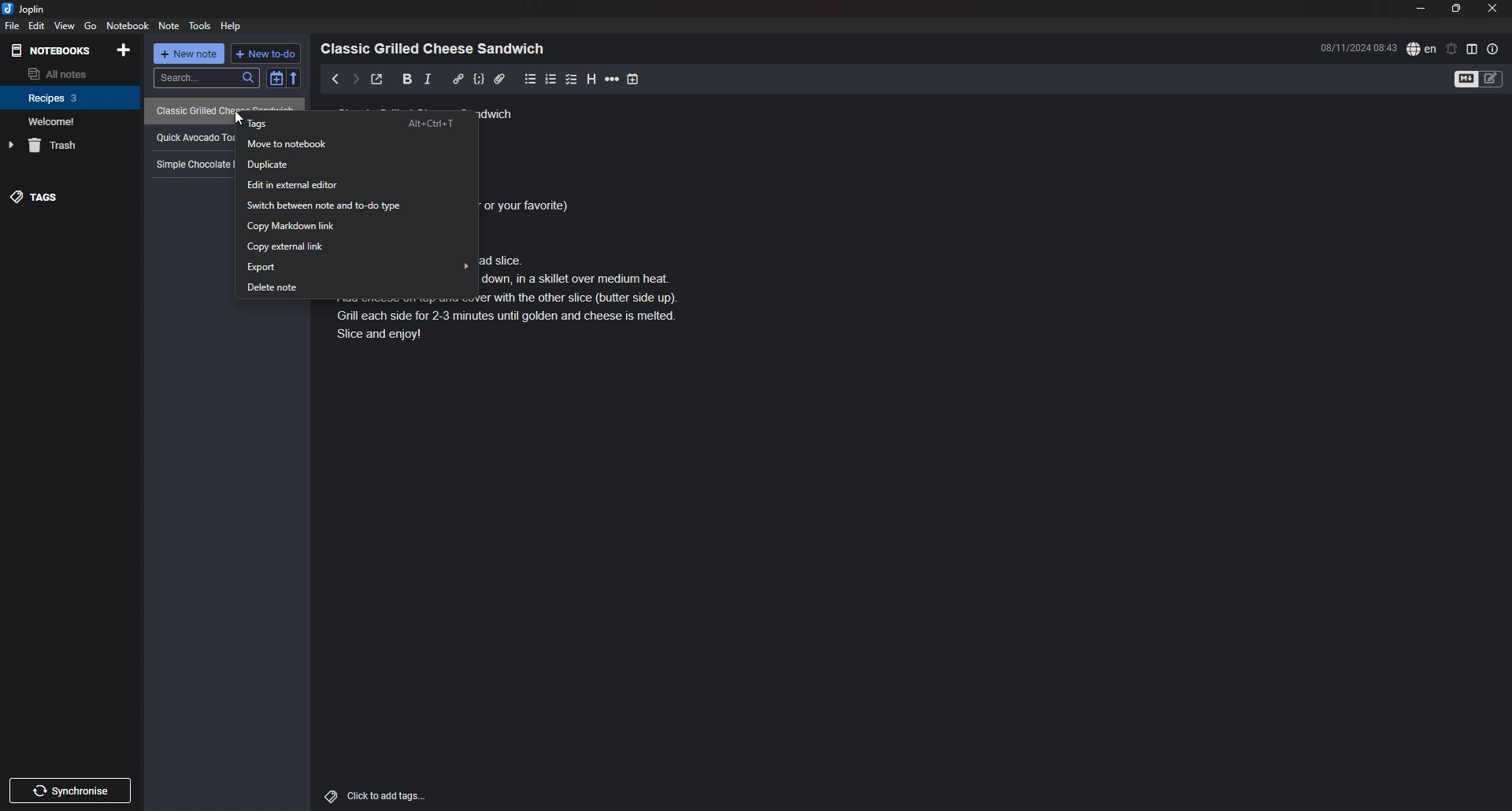  Describe the element at coordinates (406, 80) in the screenshot. I see `bold` at that location.